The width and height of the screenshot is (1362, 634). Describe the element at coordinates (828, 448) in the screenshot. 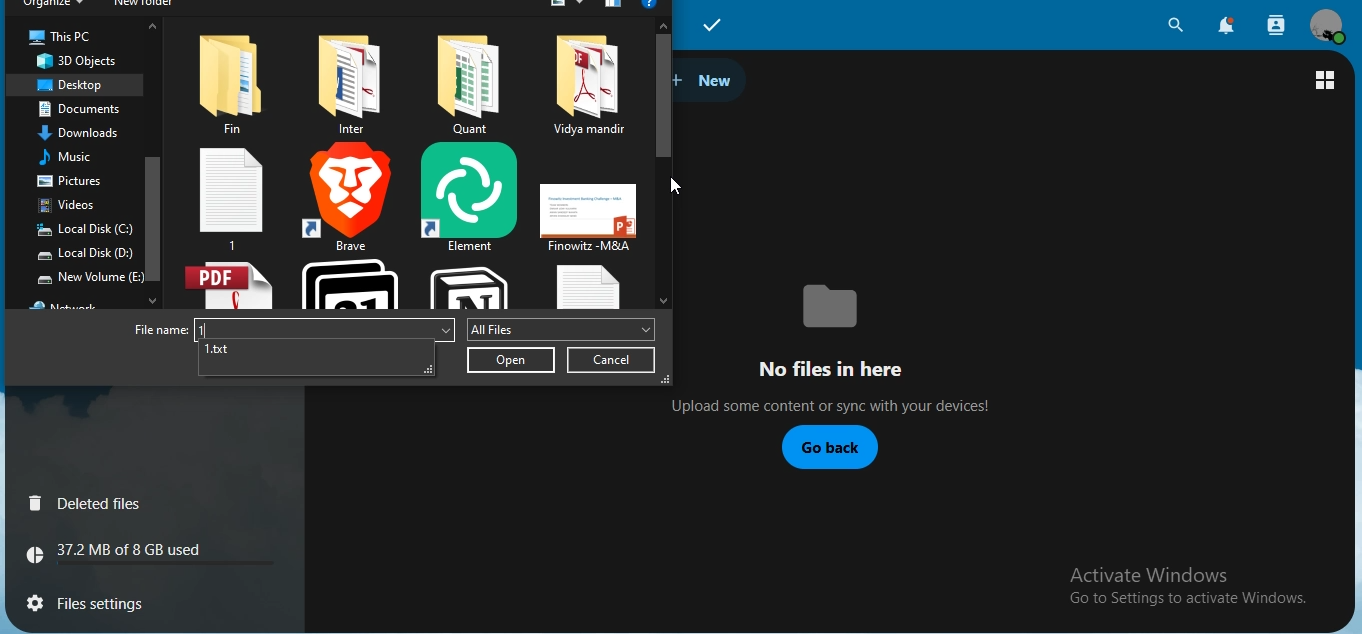

I see `go back` at that location.